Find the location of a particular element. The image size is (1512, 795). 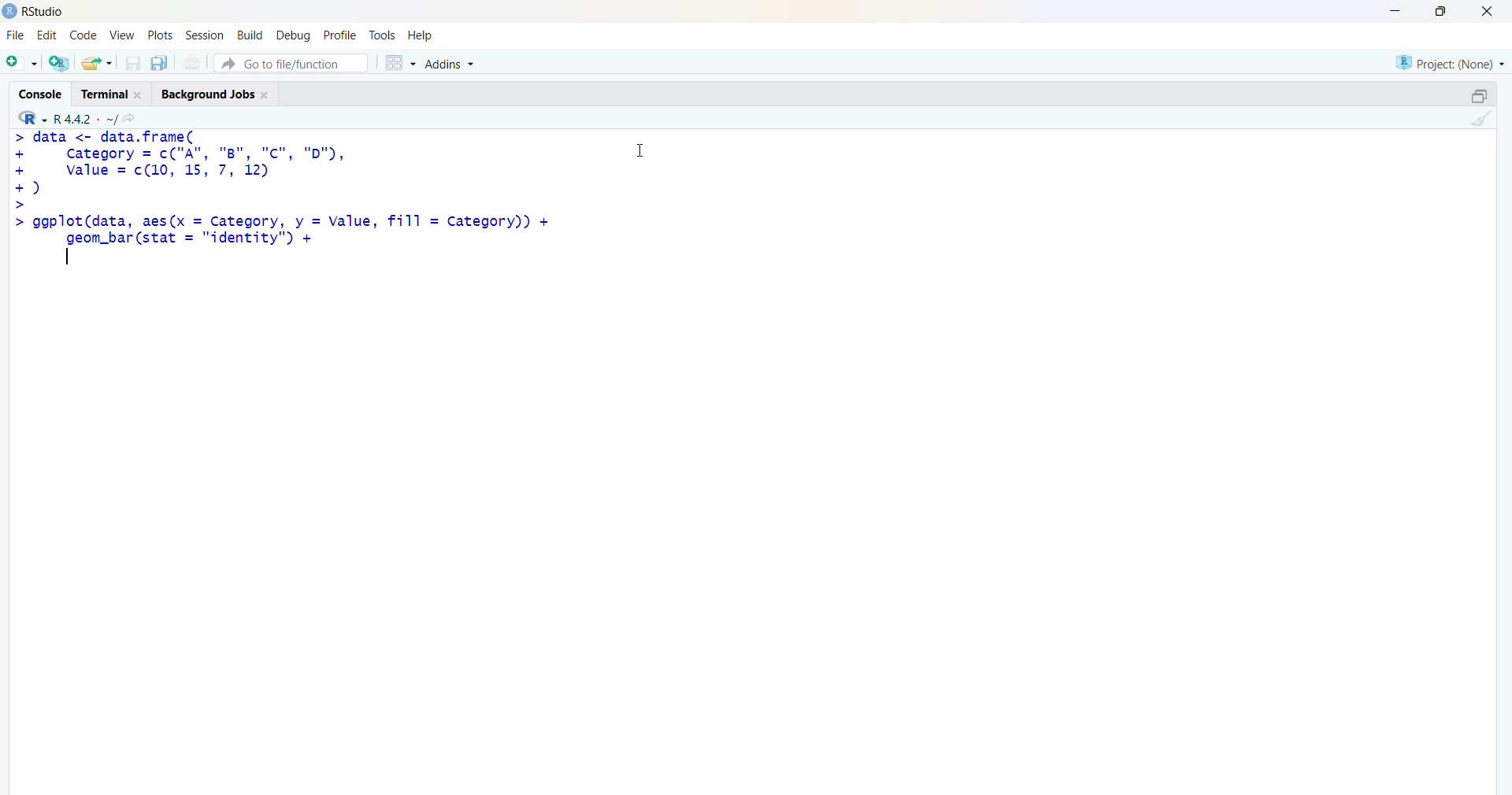

code is located at coordinates (83, 35).